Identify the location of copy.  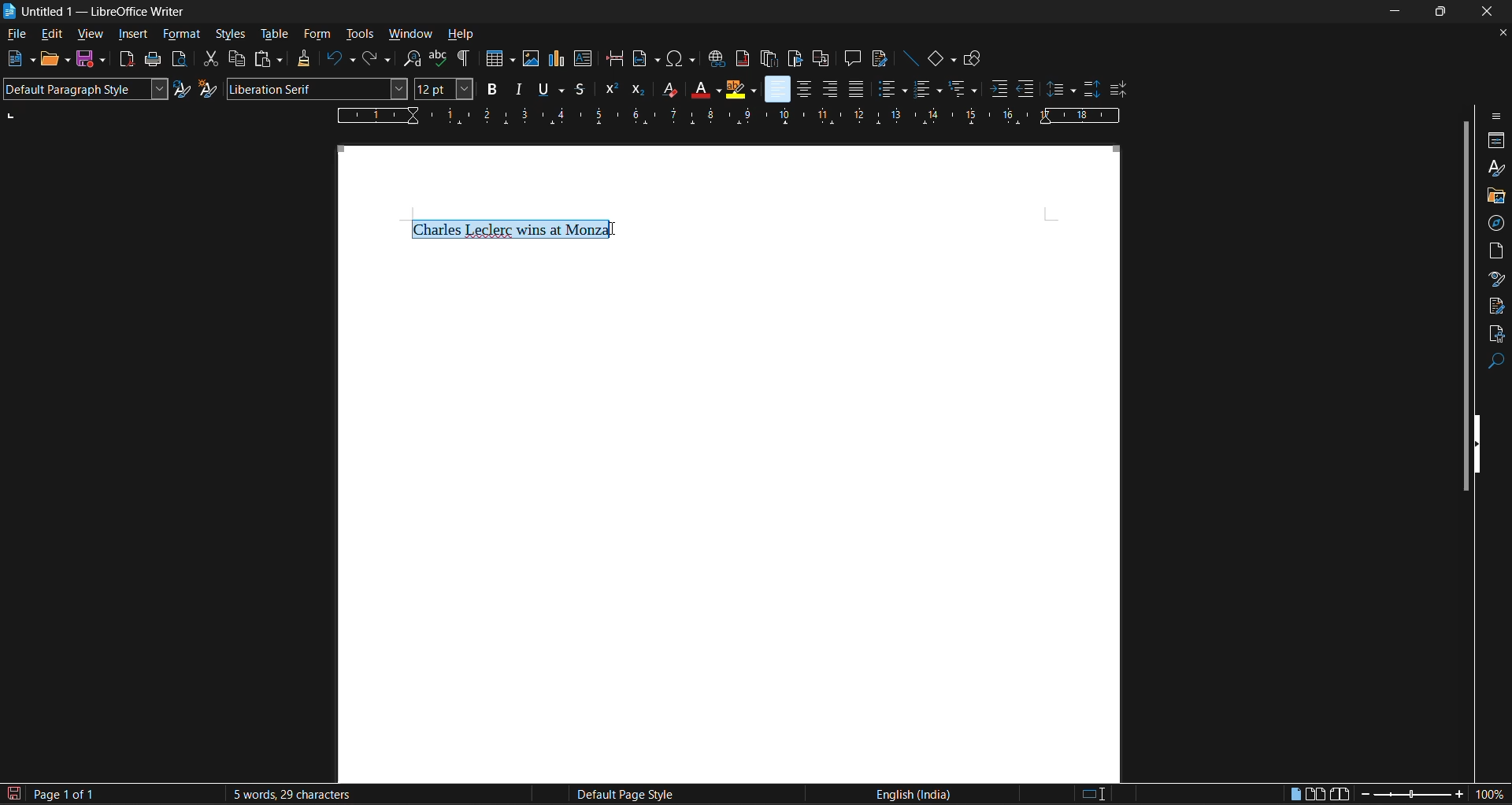
(235, 58).